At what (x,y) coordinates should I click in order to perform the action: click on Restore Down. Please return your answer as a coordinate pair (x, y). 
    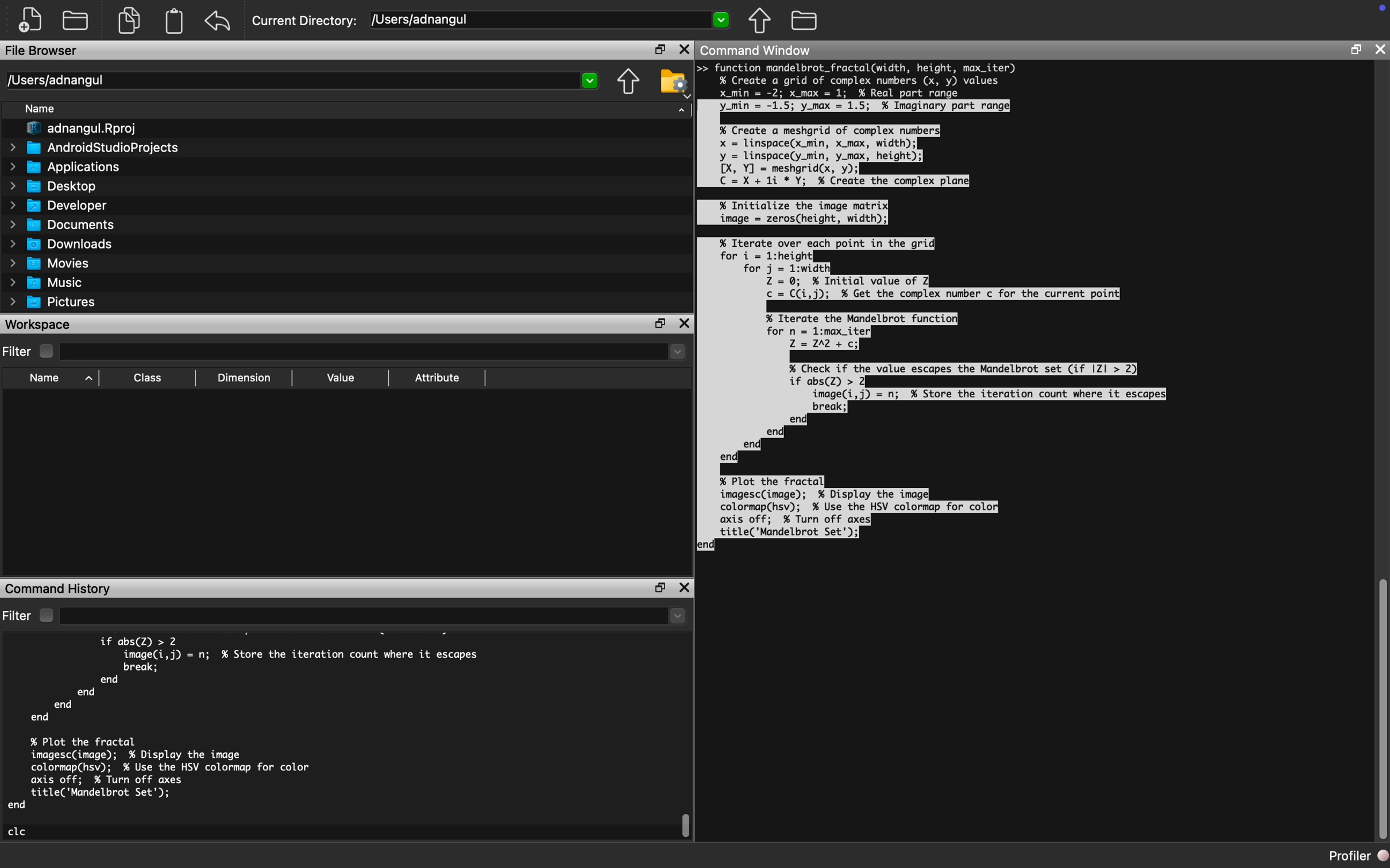
    Looking at the image, I should click on (1355, 49).